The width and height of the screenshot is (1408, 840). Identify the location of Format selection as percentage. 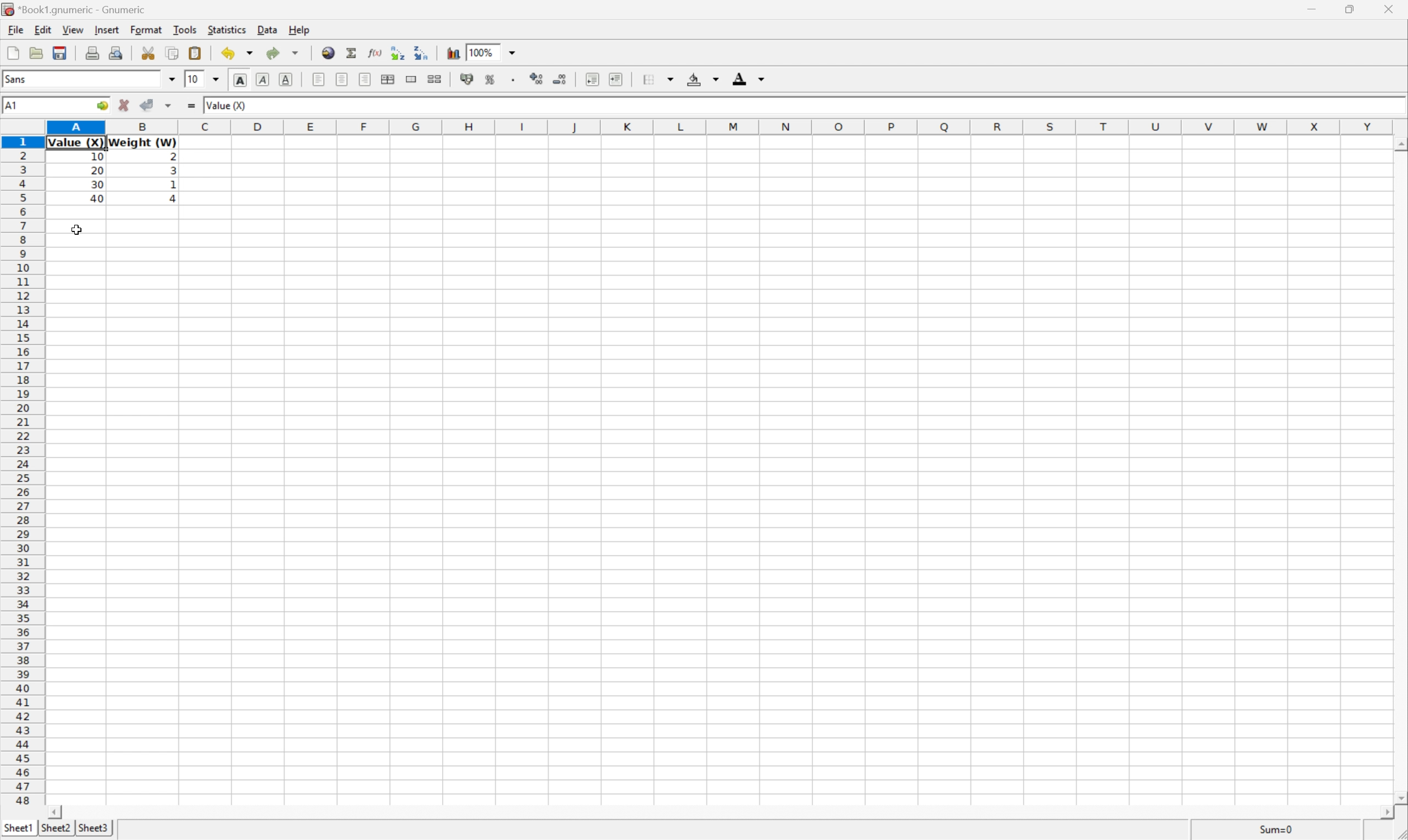
(492, 80).